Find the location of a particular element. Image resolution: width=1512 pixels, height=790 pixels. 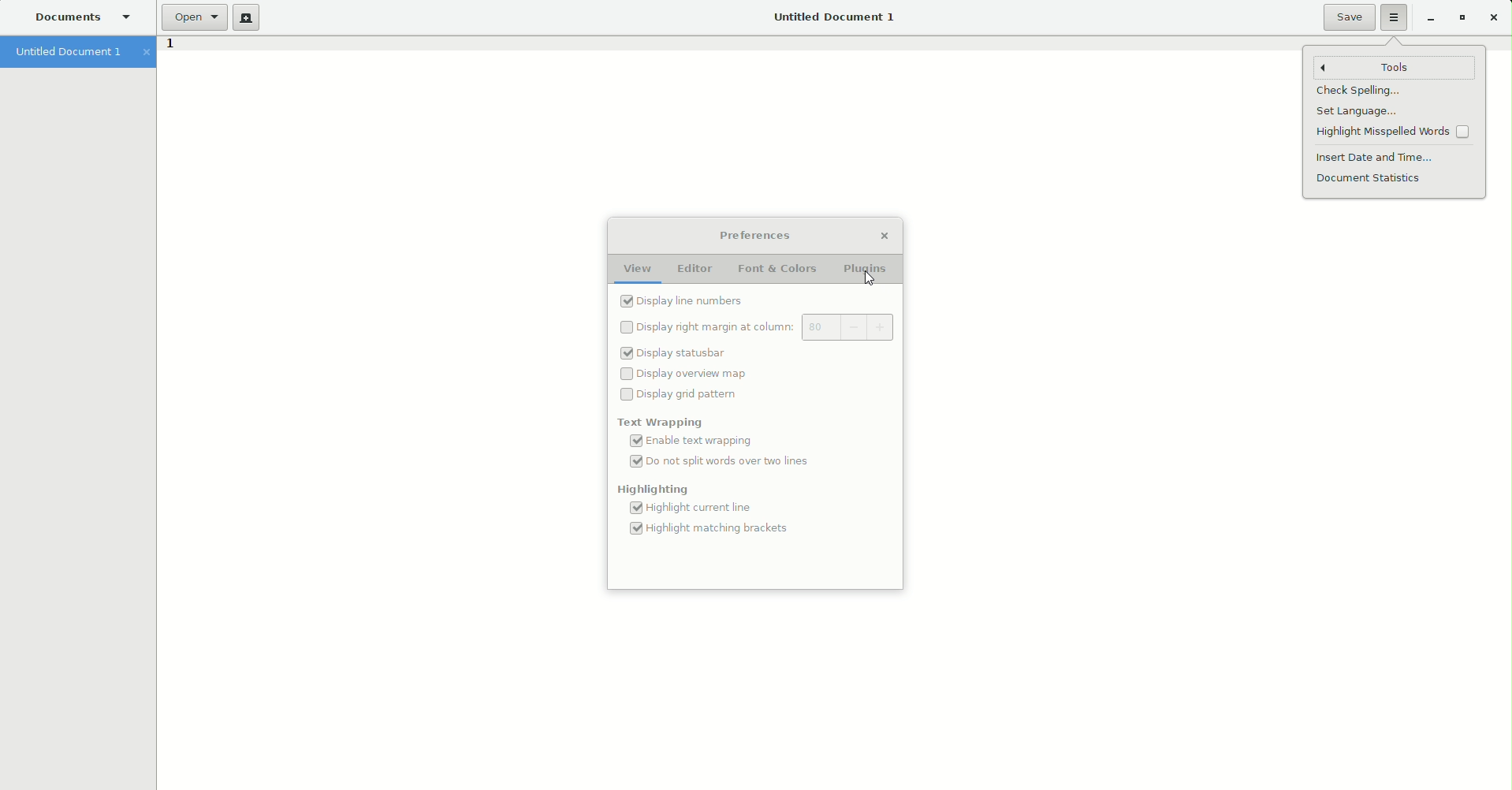

Insert date and time is located at coordinates (1377, 157).